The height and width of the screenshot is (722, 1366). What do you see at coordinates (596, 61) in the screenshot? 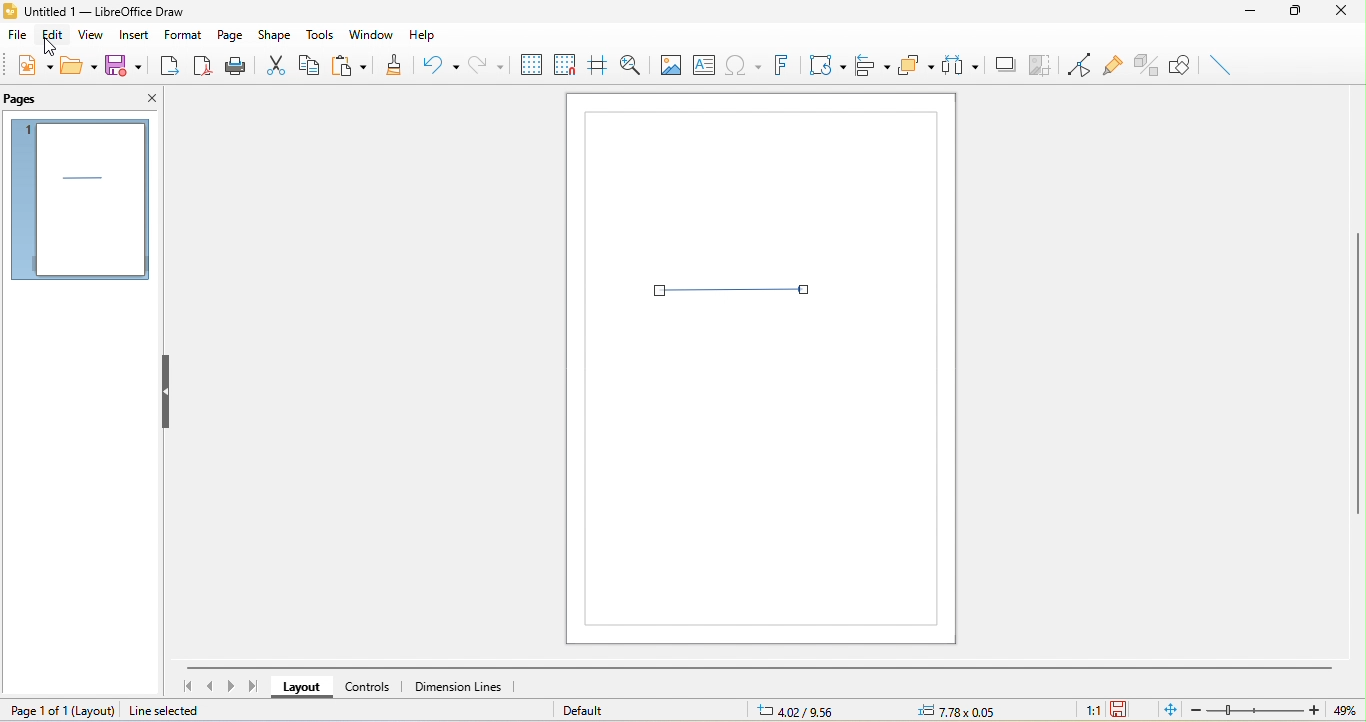
I see `helping while moving` at bounding box center [596, 61].